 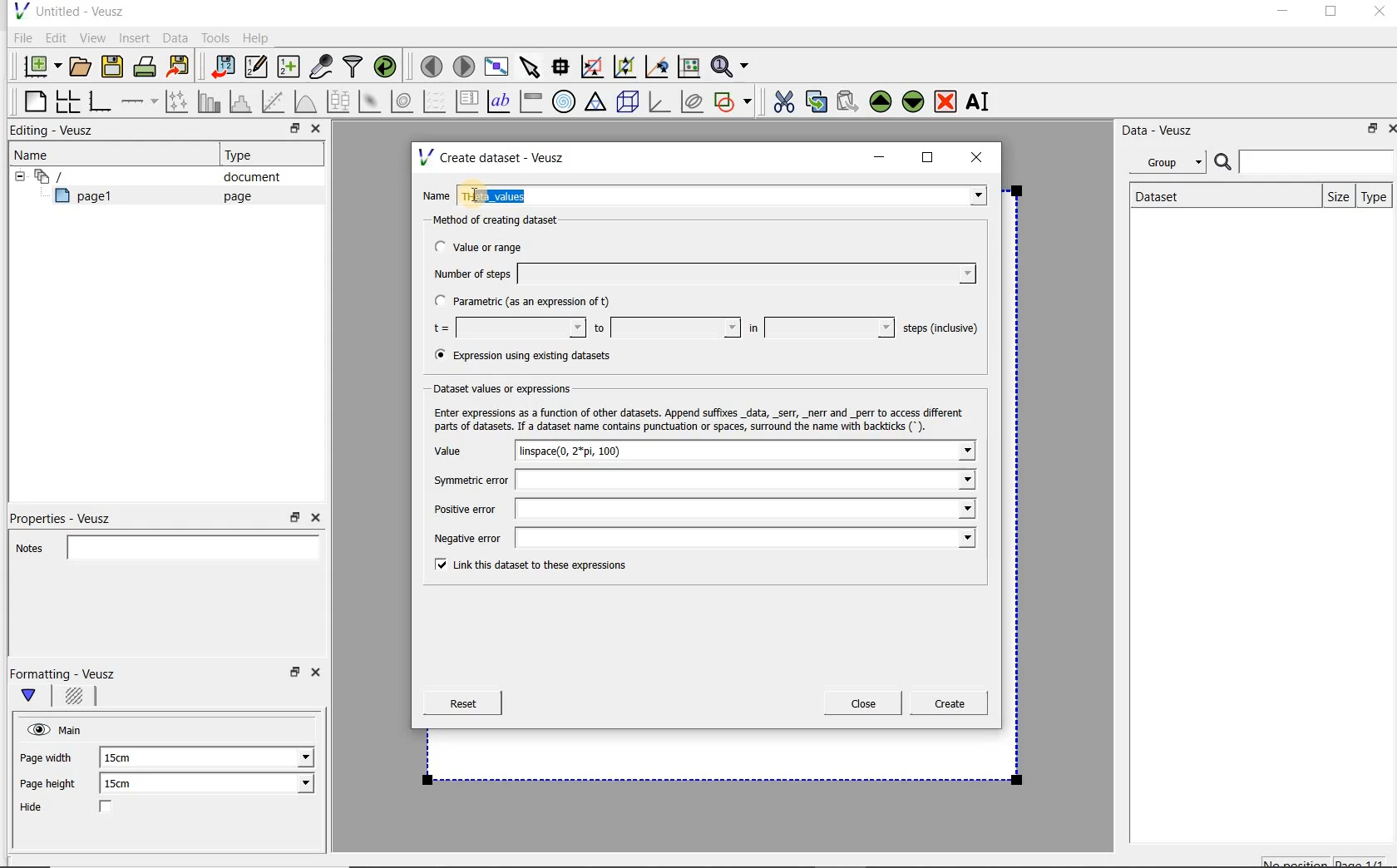 What do you see at coordinates (322, 69) in the screenshot?
I see `capture remote data` at bounding box center [322, 69].